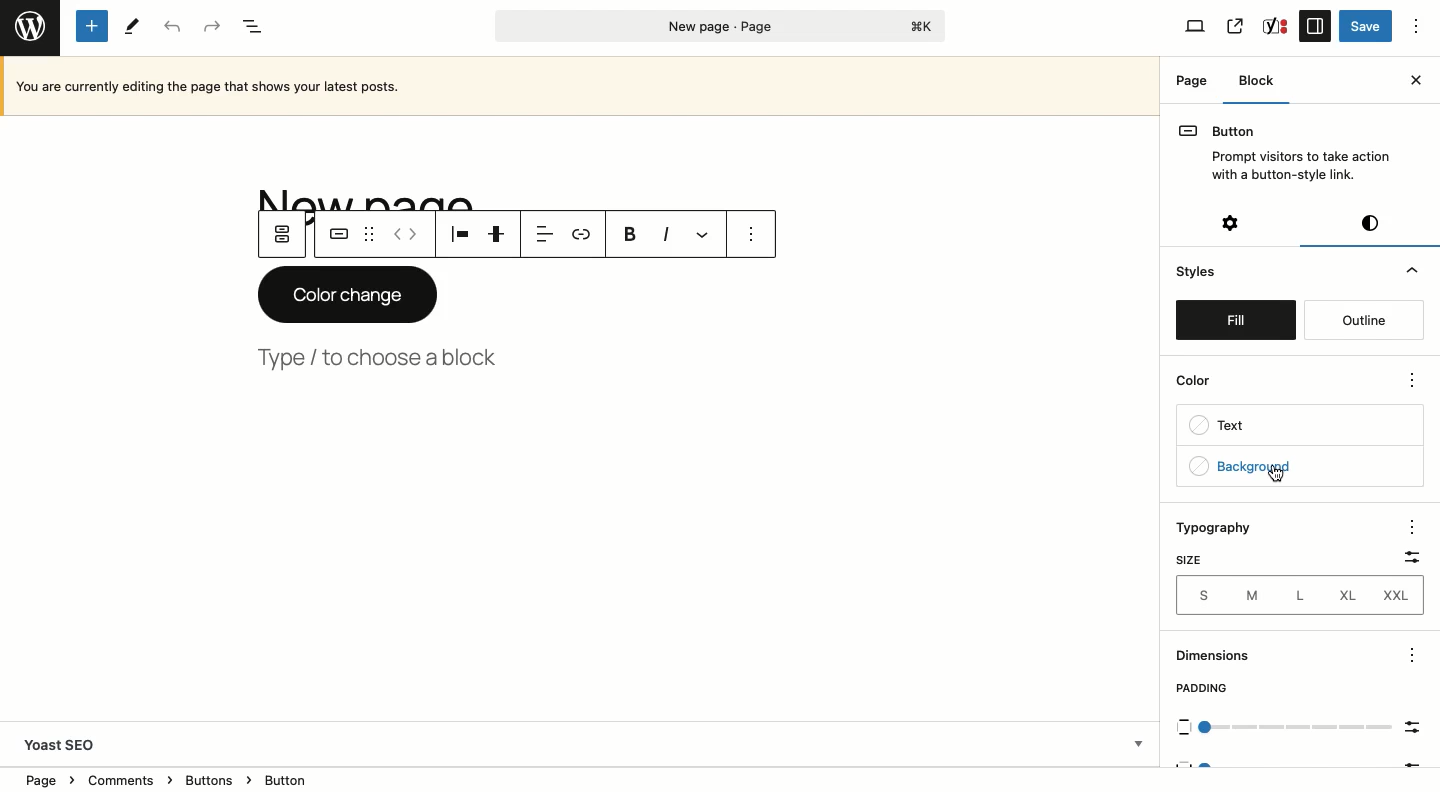 Image resolution: width=1440 pixels, height=792 pixels. What do you see at coordinates (584, 86) in the screenshot?
I see `Currently editing the page that show your latest posts` at bounding box center [584, 86].